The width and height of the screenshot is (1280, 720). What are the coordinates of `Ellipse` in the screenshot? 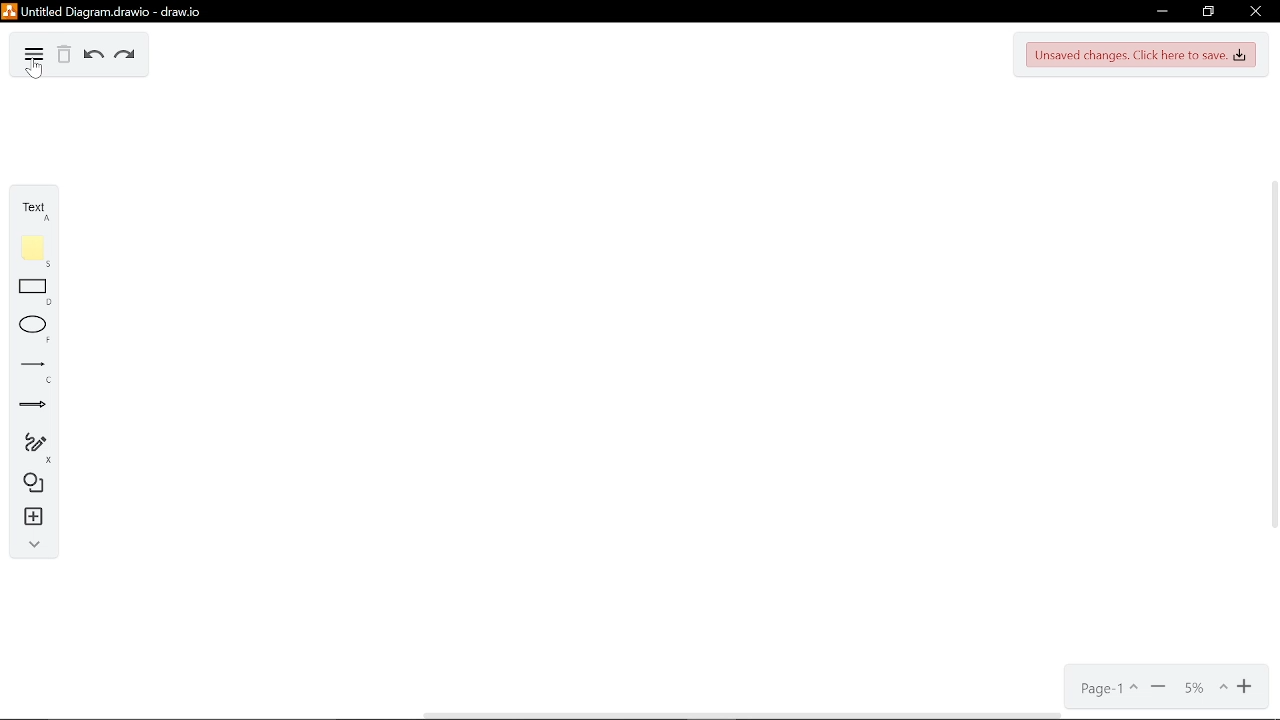 It's located at (27, 329).